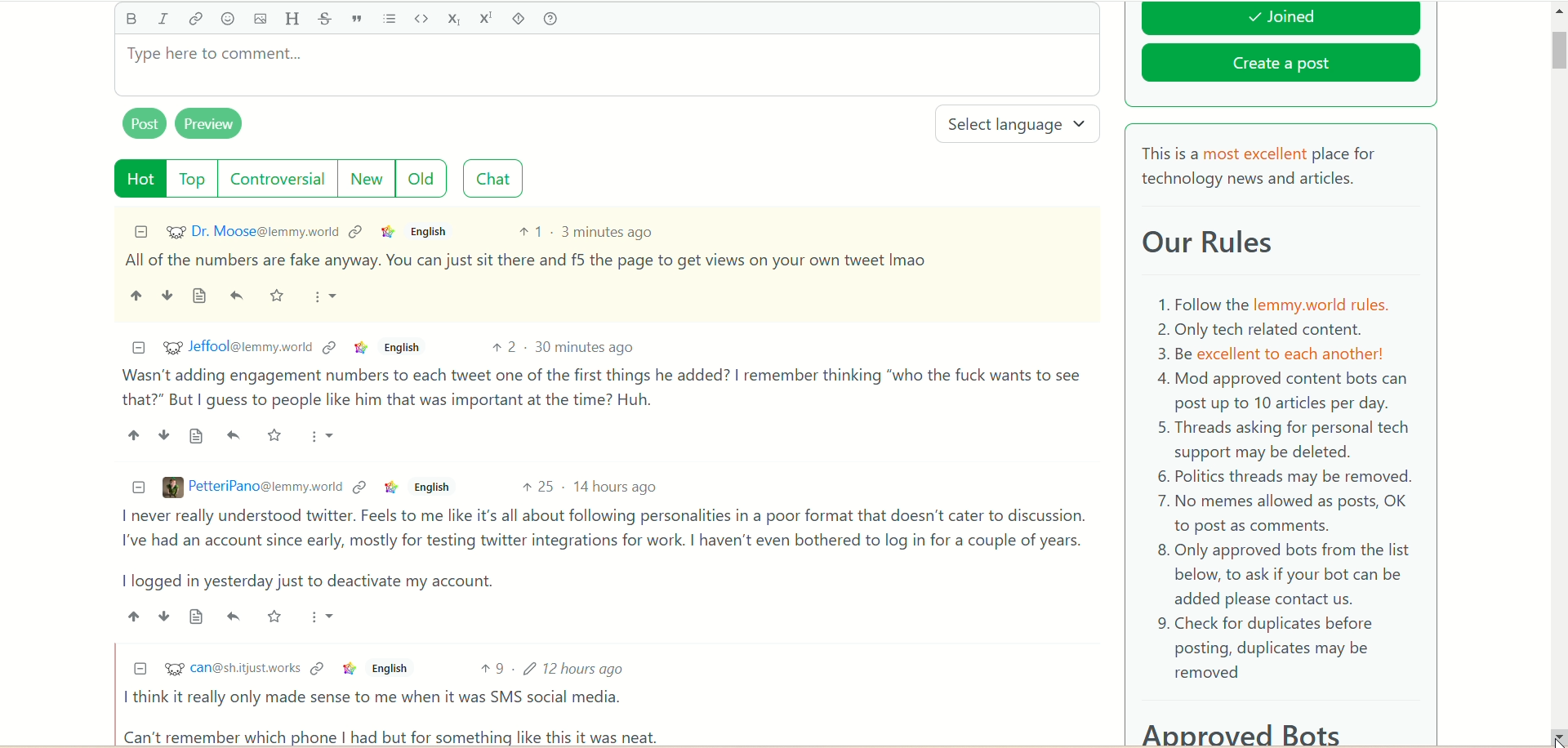 This screenshot has width=1568, height=748. What do you see at coordinates (322, 20) in the screenshot?
I see `strikethrough` at bounding box center [322, 20].